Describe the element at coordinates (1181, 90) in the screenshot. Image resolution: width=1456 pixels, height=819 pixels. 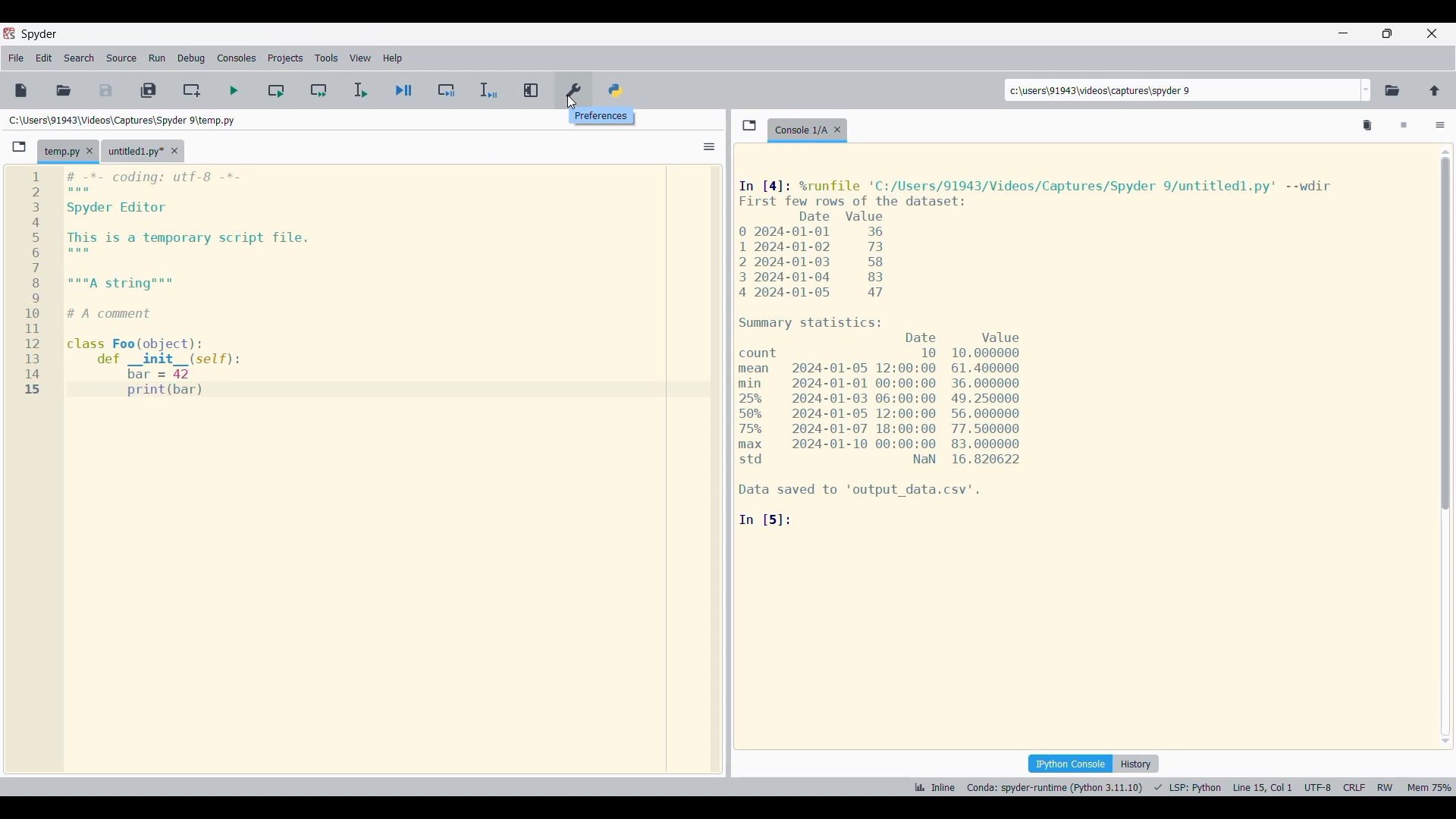
I see `Input location` at that location.